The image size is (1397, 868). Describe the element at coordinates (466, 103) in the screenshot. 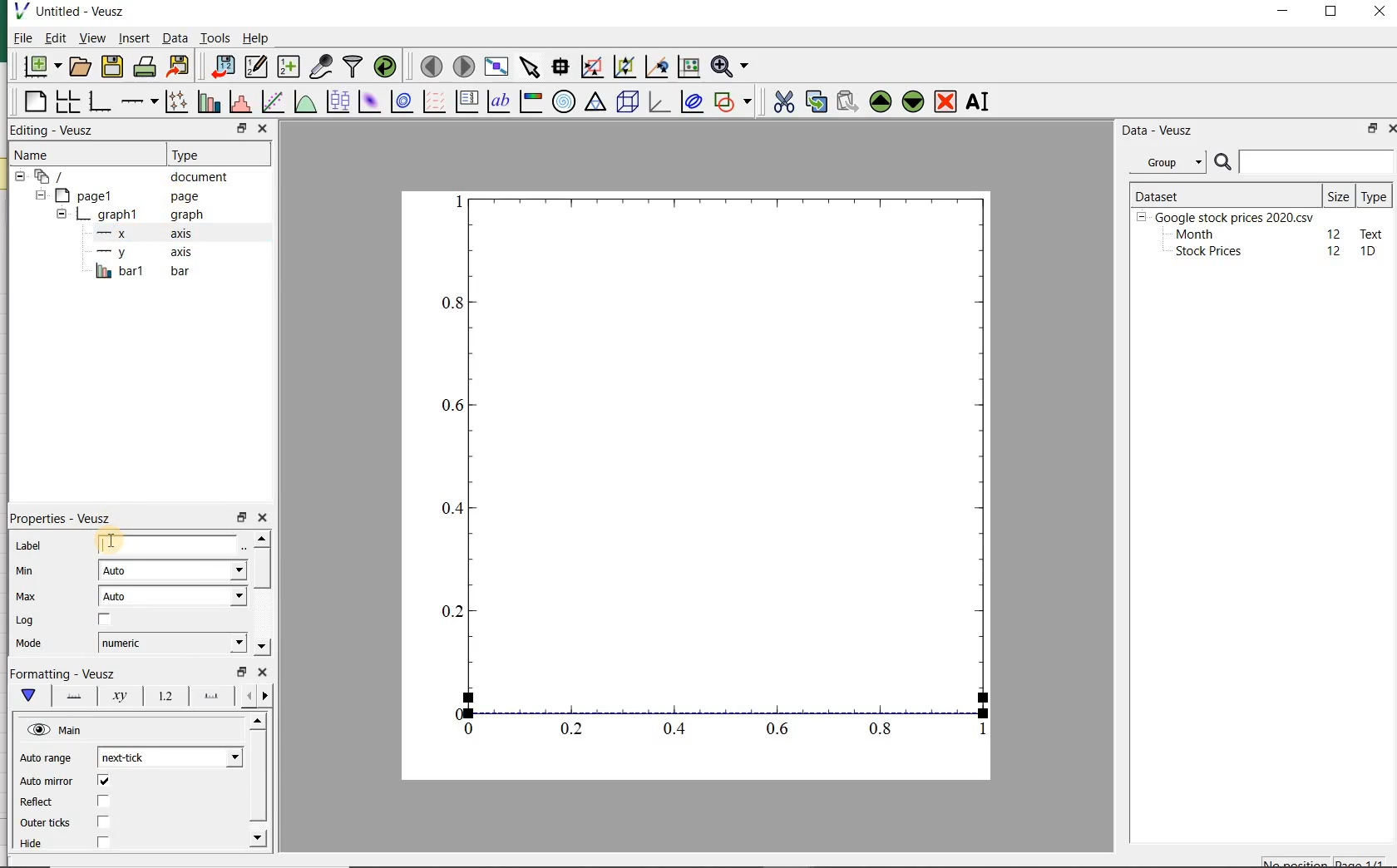

I see `plot key` at that location.